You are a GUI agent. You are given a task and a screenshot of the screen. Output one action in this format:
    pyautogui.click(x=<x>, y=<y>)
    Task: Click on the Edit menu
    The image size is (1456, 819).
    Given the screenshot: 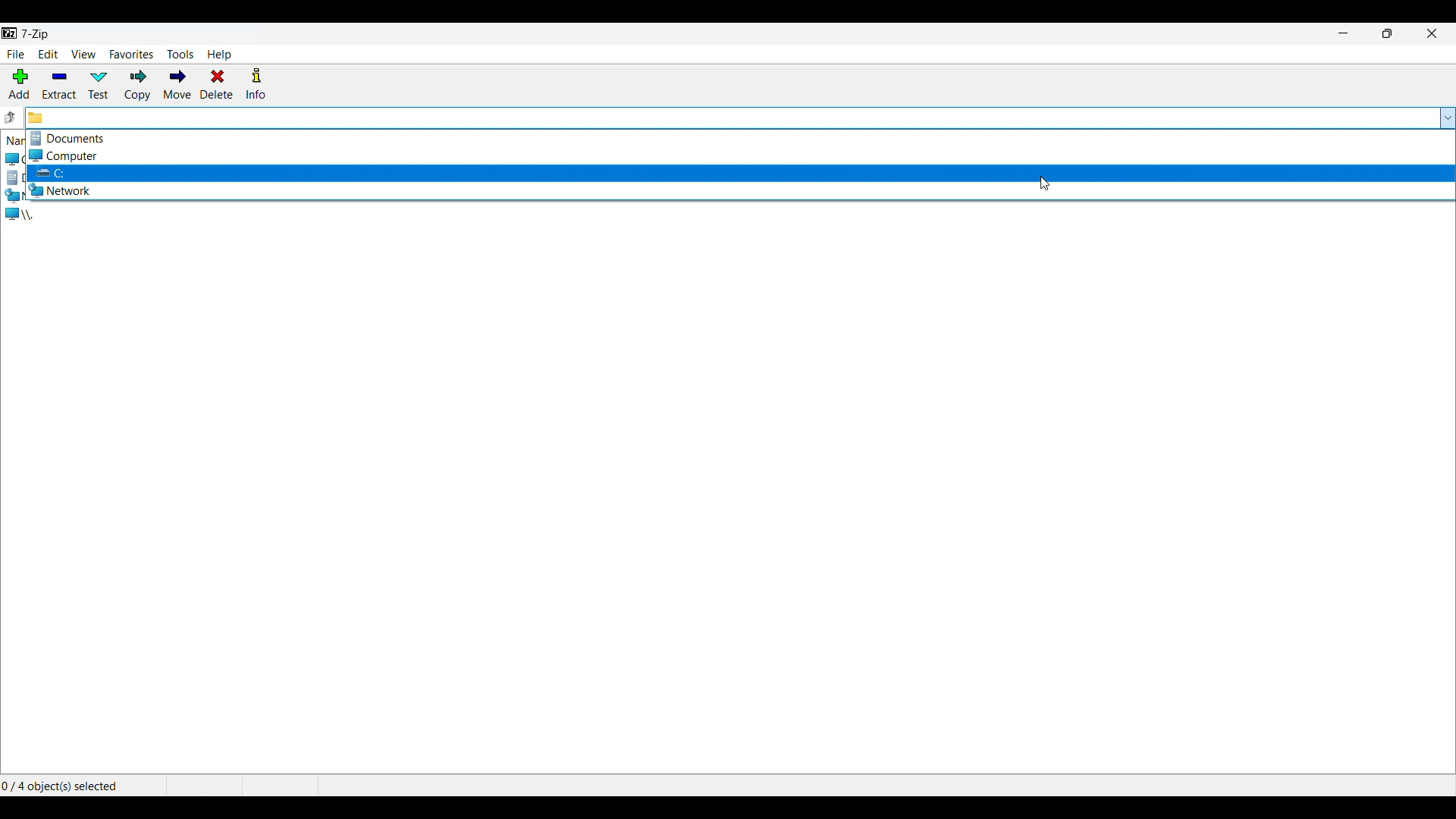 What is the action you would take?
    pyautogui.click(x=48, y=54)
    